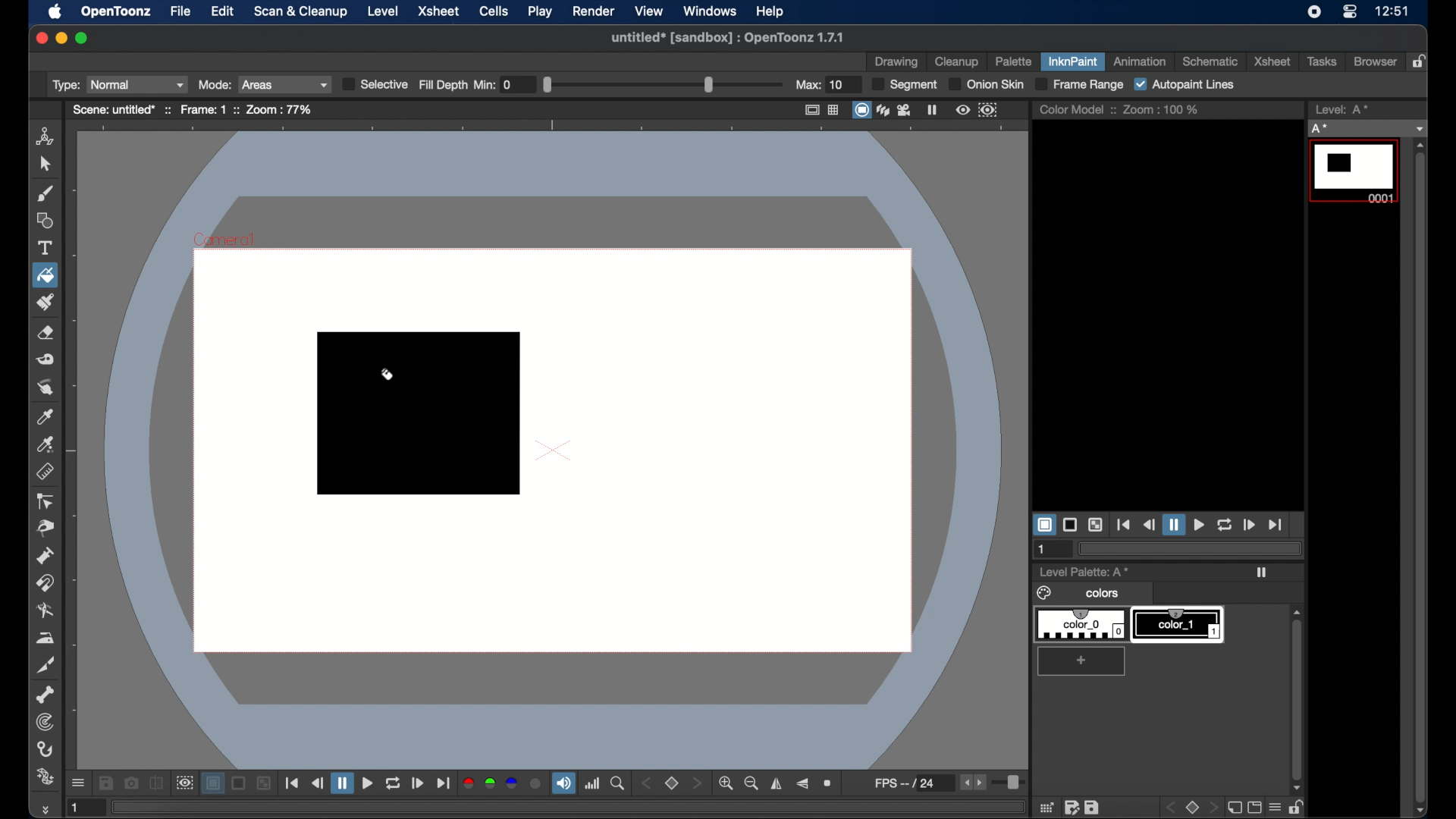  I want to click on color_0, so click(1083, 625).